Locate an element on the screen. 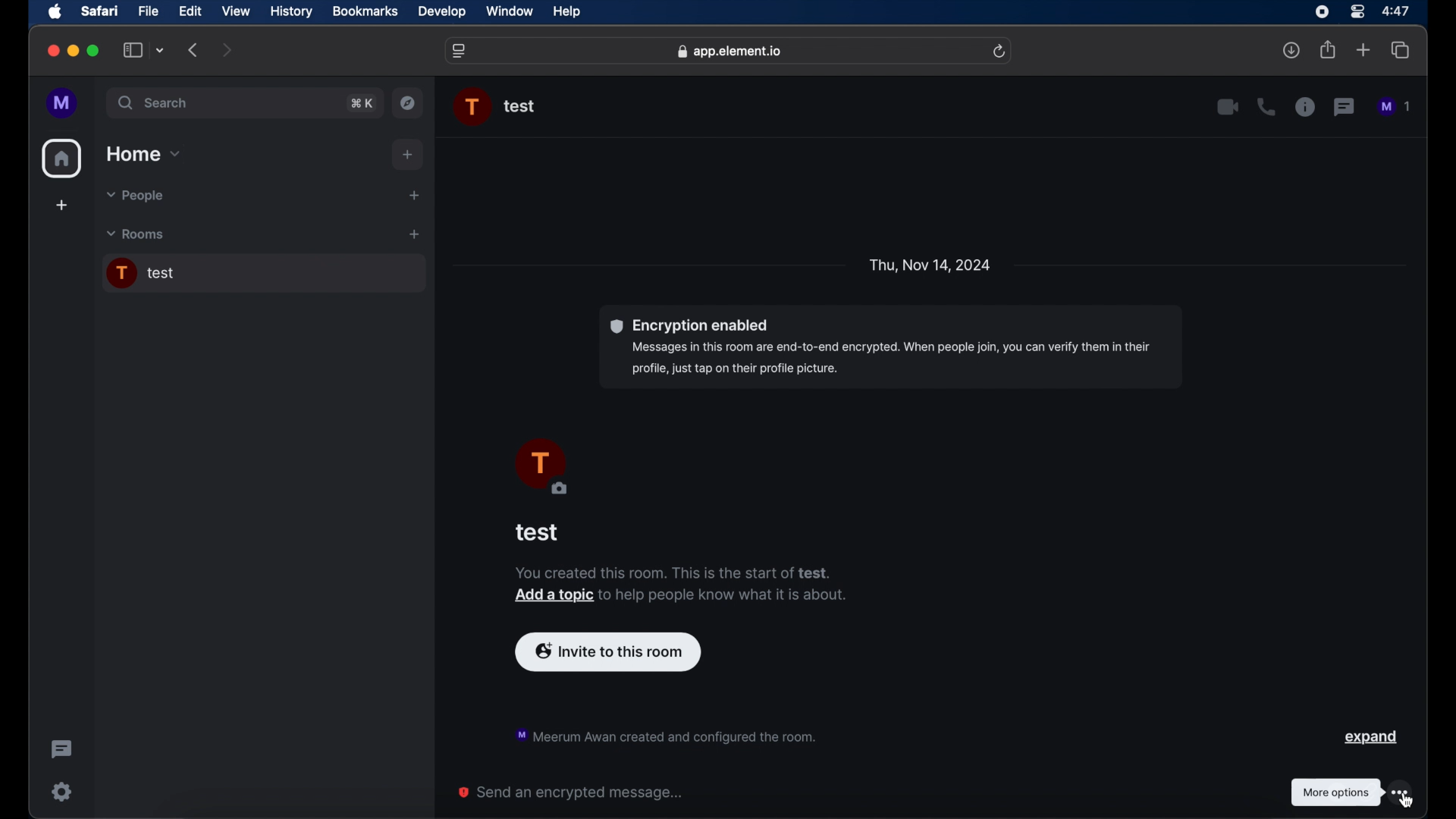 The height and width of the screenshot is (819, 1456). notification is located at coordinates (681, 585).